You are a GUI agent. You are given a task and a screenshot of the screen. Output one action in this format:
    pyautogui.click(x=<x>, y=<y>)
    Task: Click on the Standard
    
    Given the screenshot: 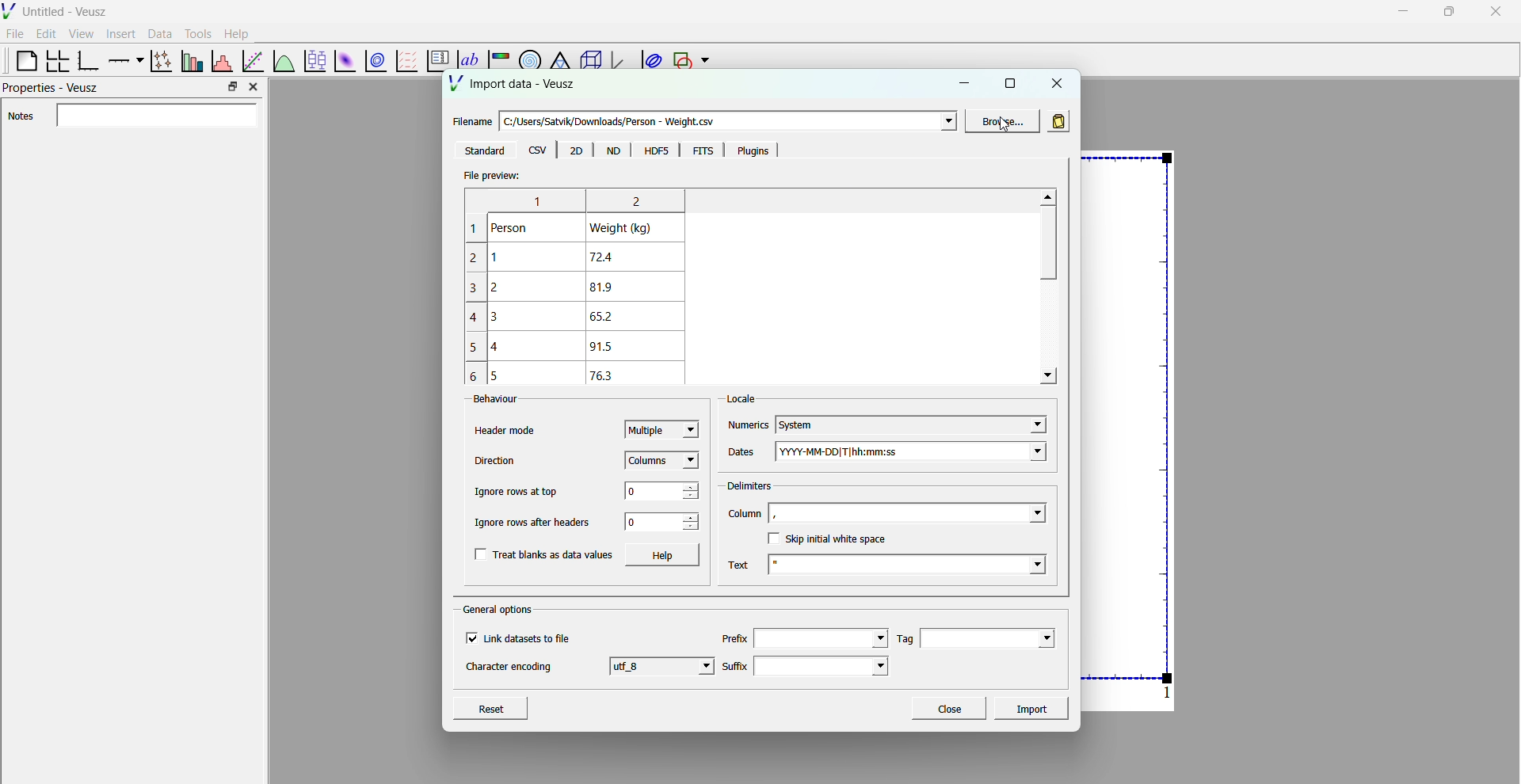 What is the action you would take?
    pyautogui.click(x=483, y=150)
    